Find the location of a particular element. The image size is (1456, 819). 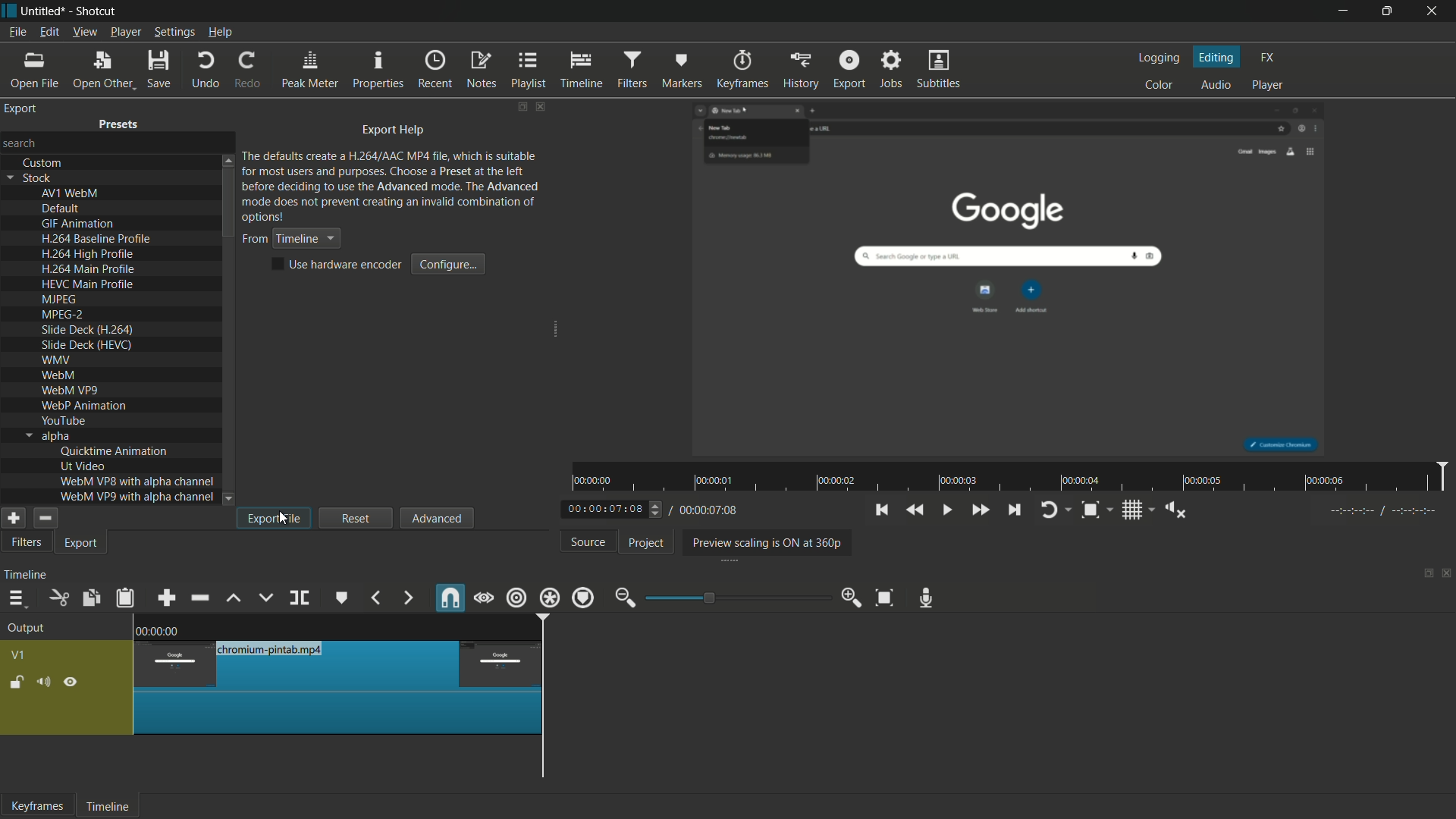

lock is located at coordinates (17, 684).